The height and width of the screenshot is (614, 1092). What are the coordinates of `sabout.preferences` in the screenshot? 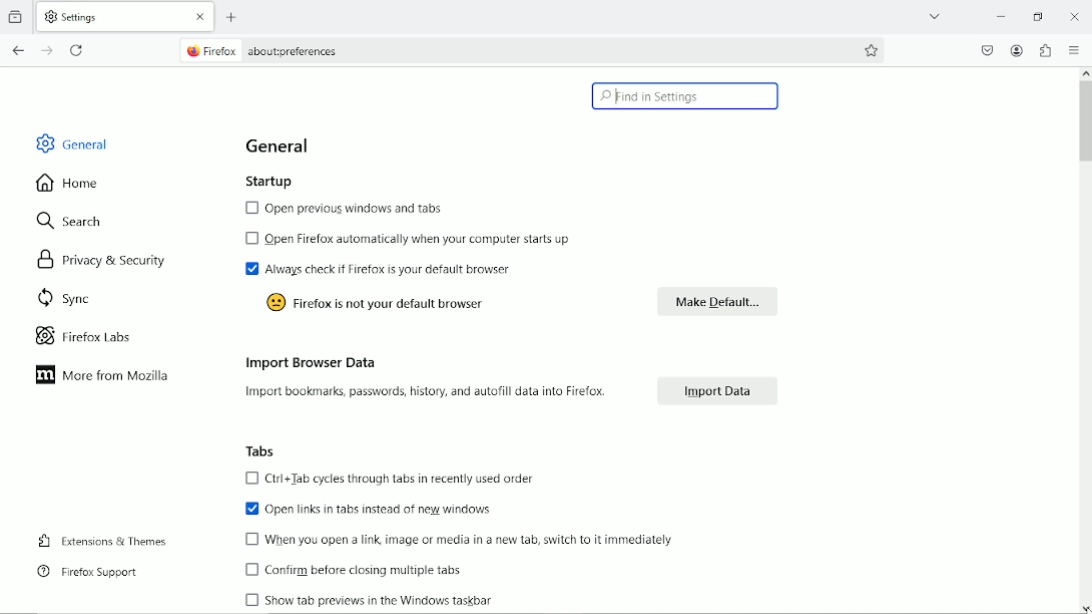 It's located at (262, 49).